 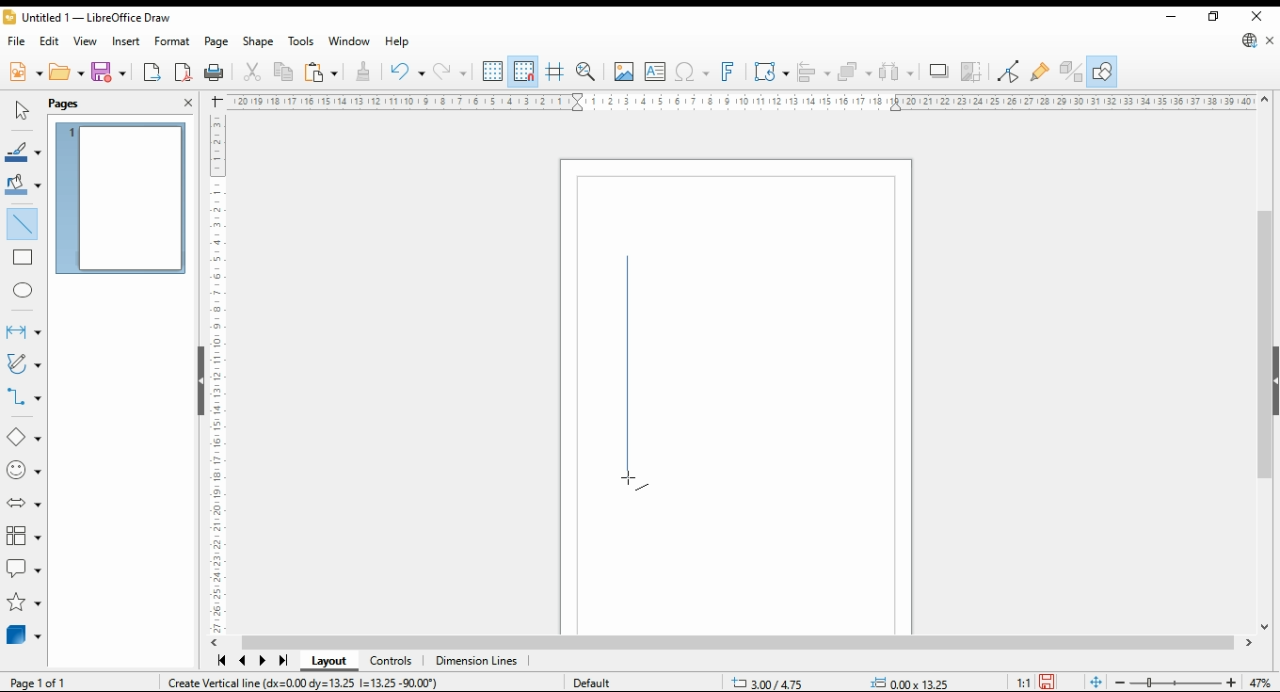 I want to click on insert image, so click(x=624, y=71).